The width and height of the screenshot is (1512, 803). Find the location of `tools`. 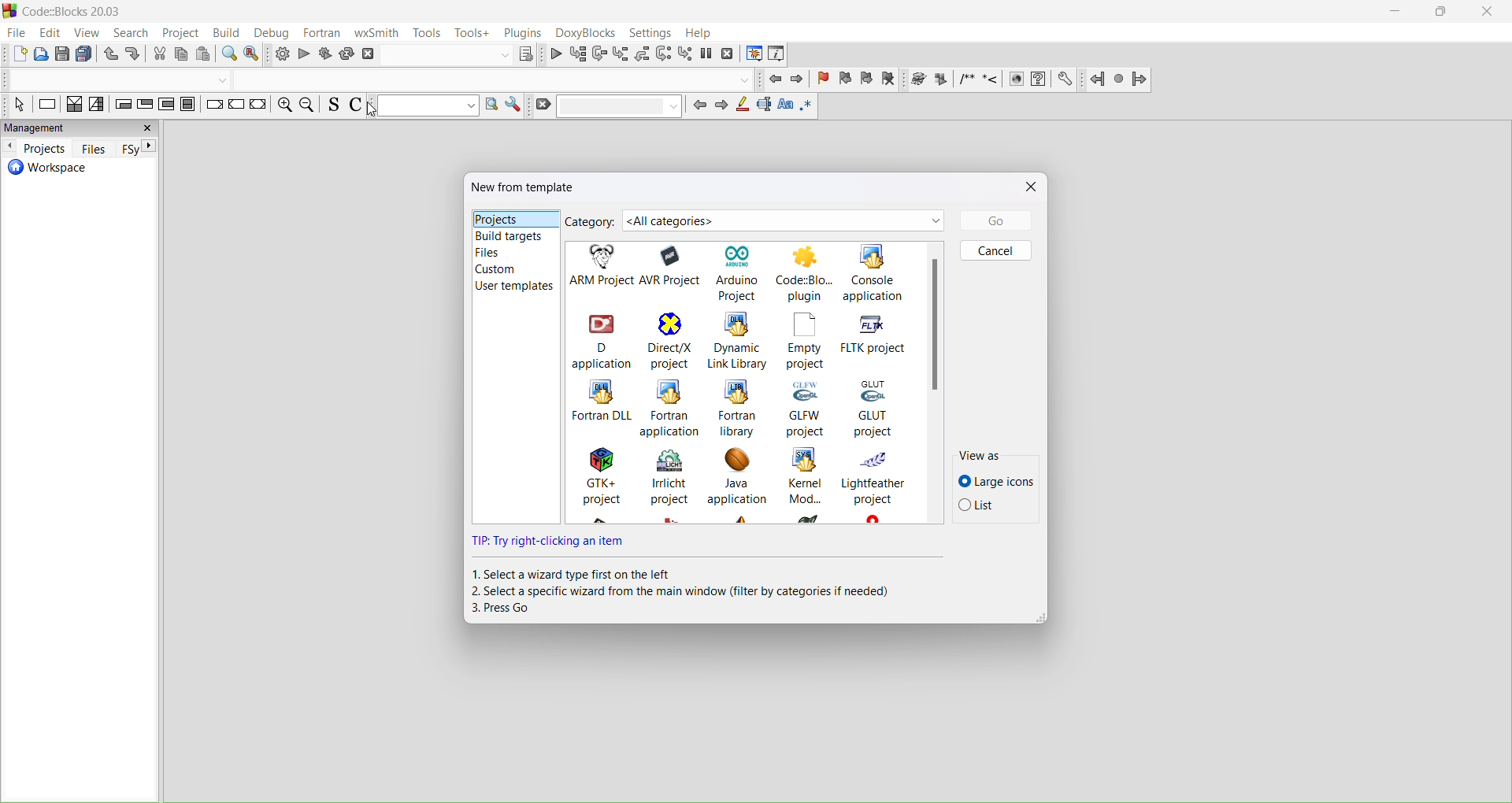

tools is located at coordinates (426, 33).